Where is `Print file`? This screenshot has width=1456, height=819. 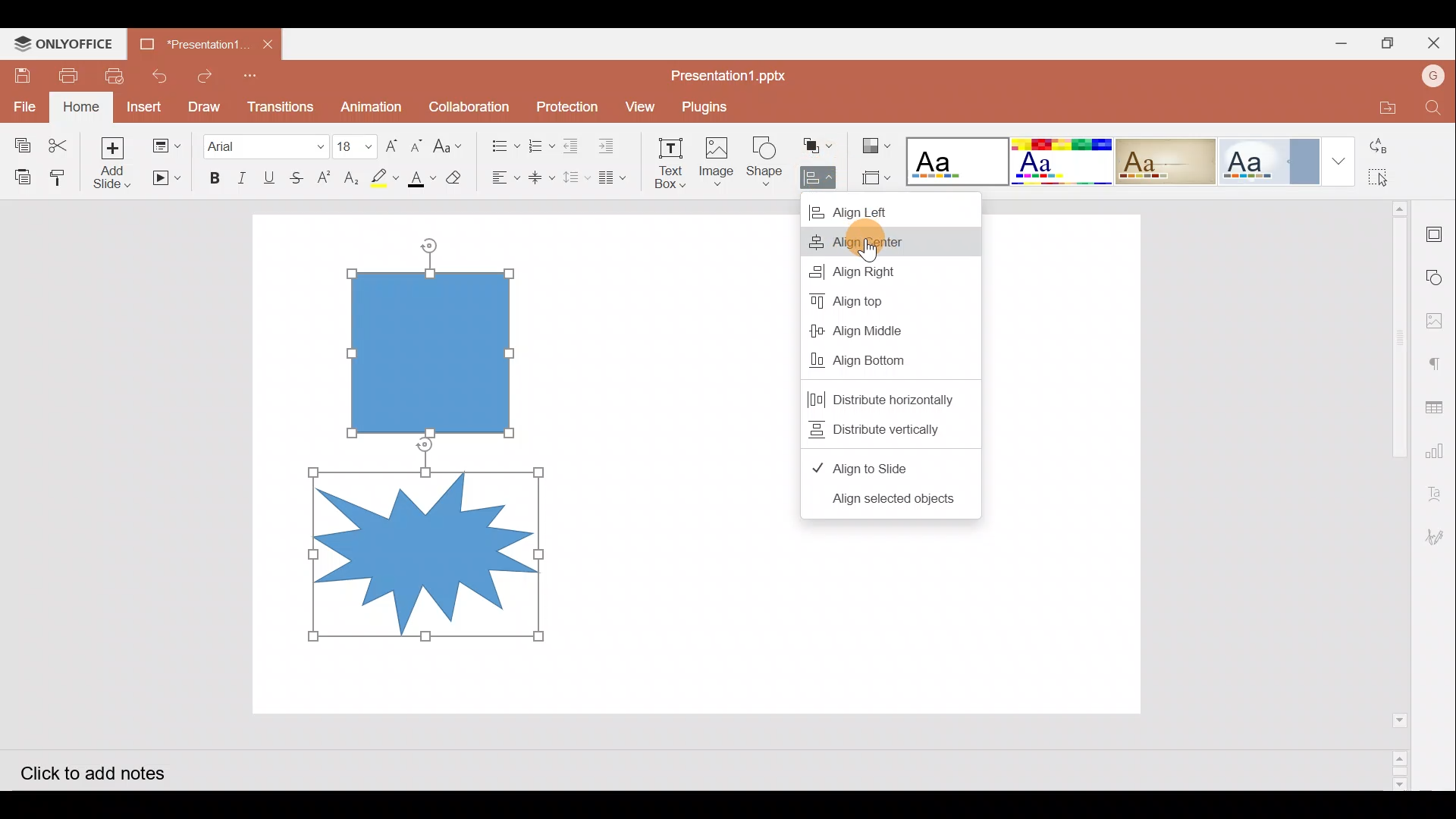 Print file is located at coordinates (73, 74).